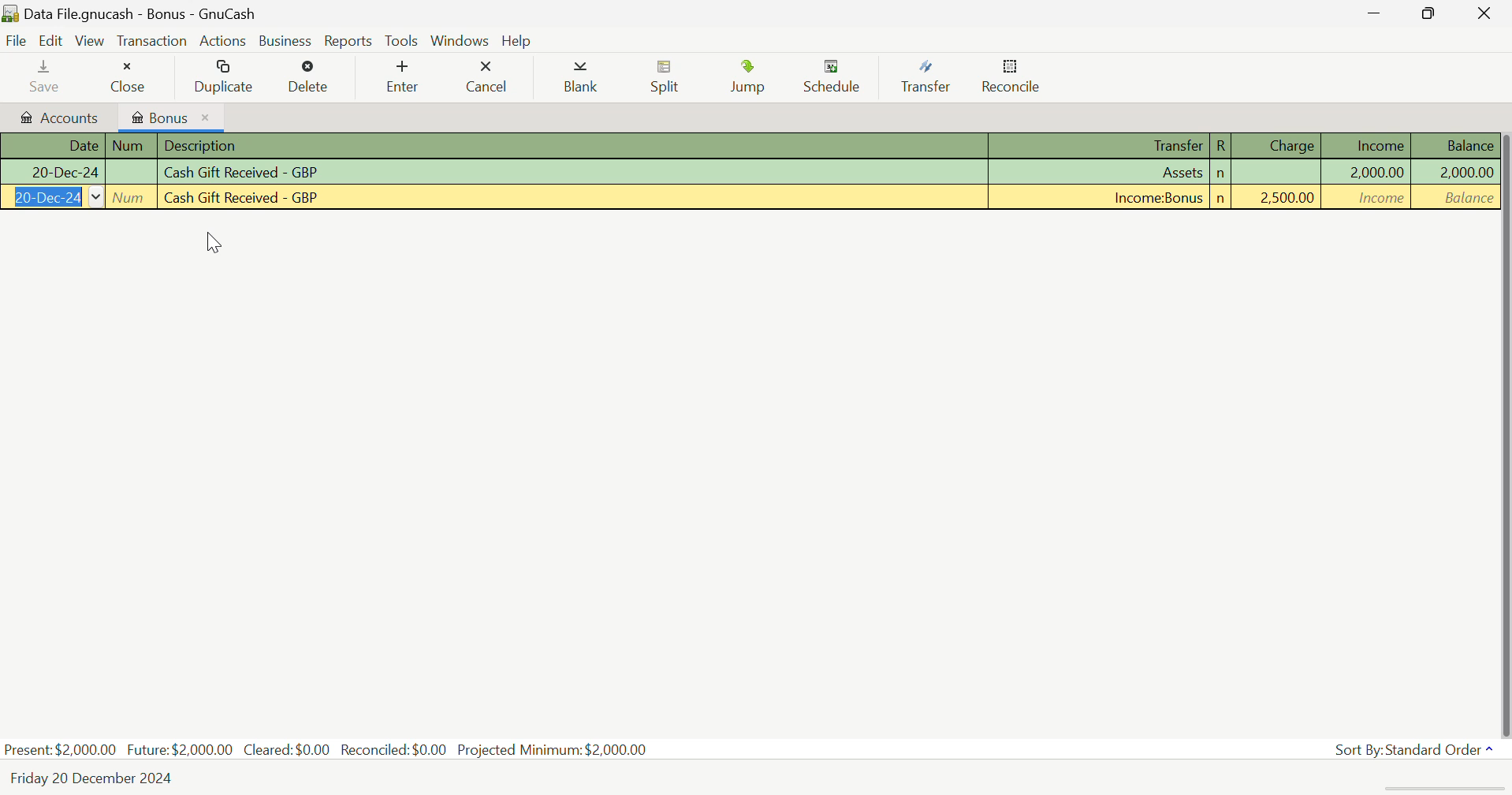 The width and height of the screenshot is (1512, 795). I want to click on Enter, so click(401, 77).